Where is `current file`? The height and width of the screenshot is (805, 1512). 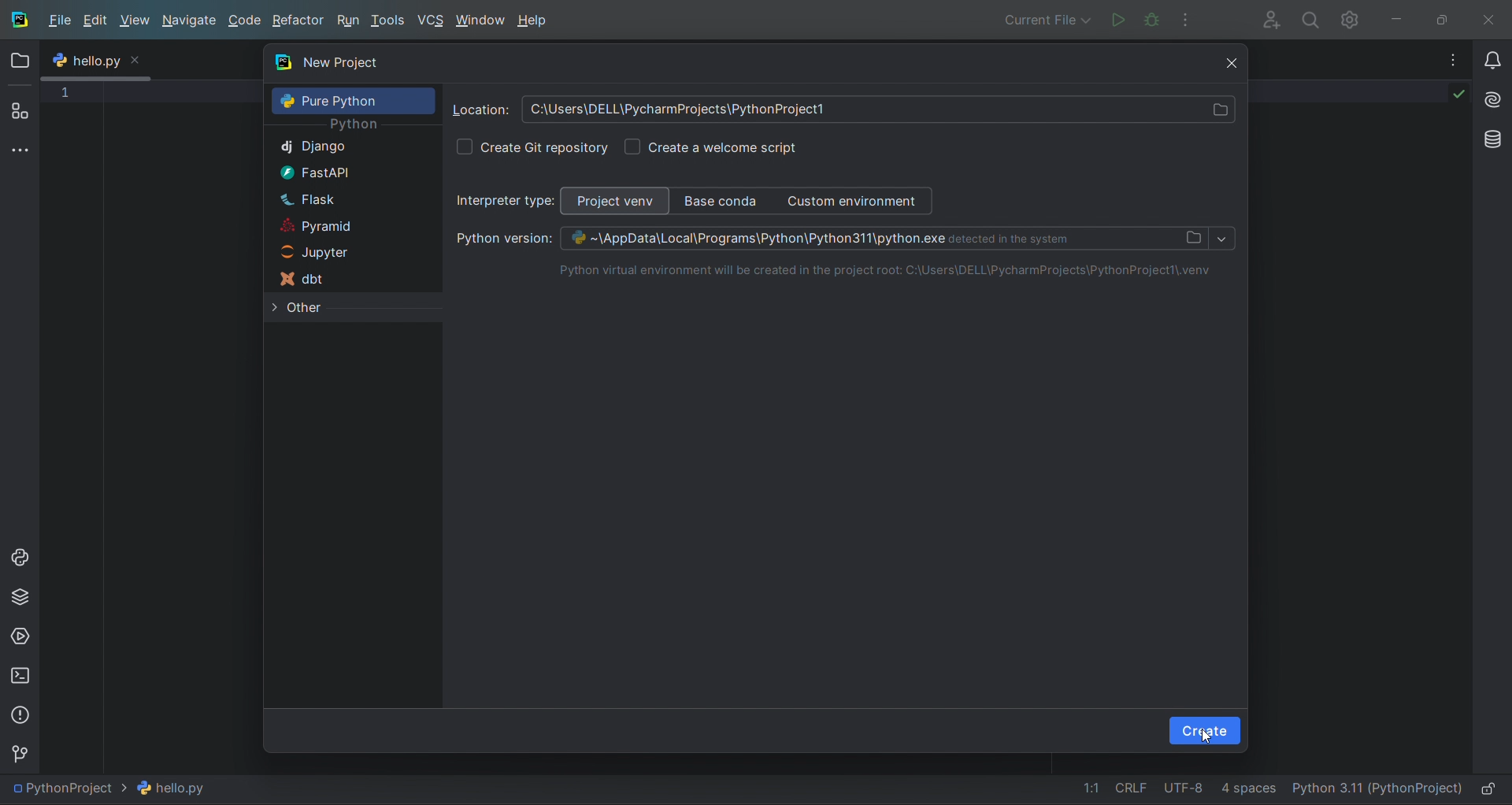 current file is located at coordinates (117, 788).